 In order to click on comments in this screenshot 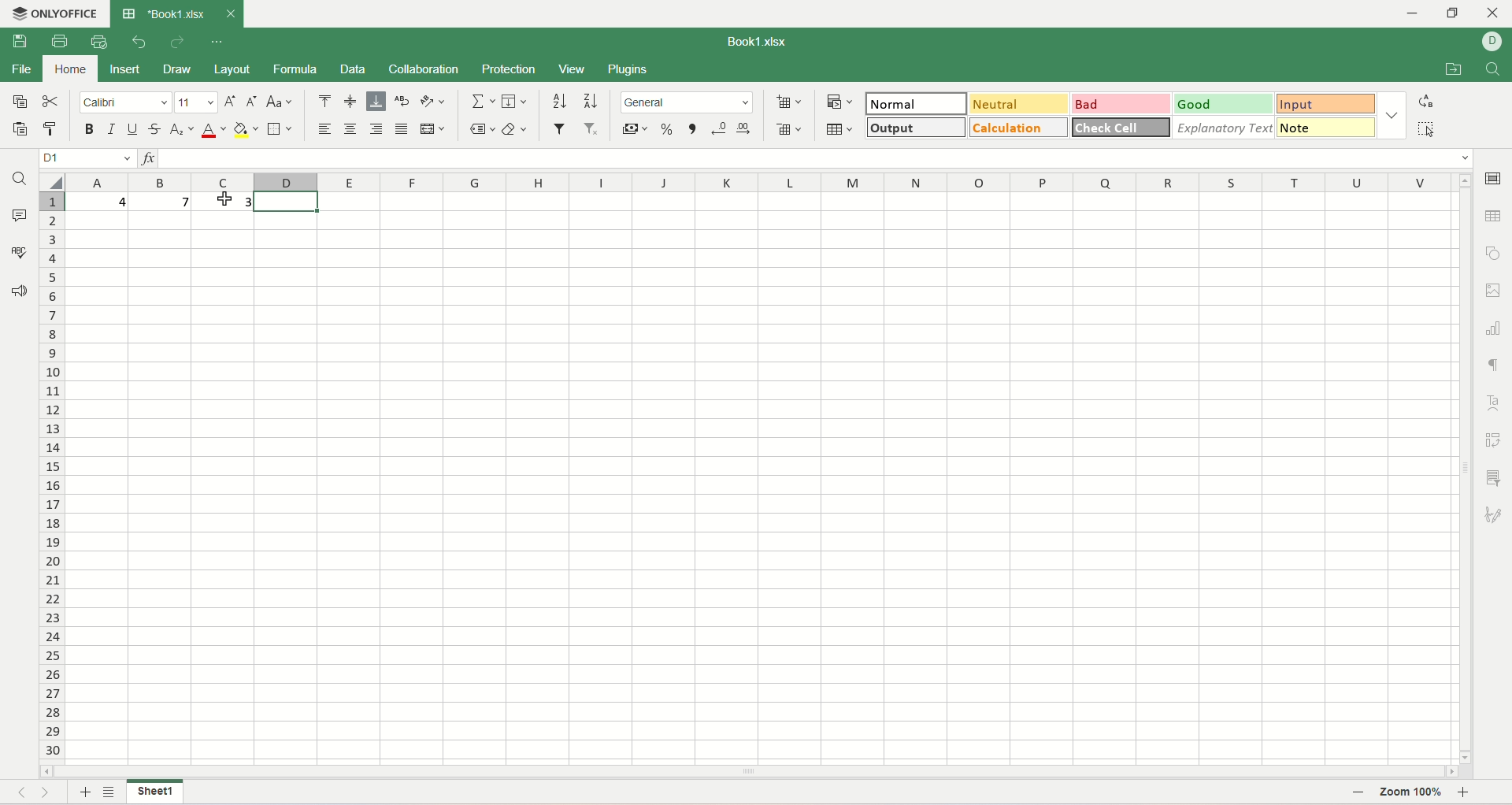, I will do `click(18, 214)`.